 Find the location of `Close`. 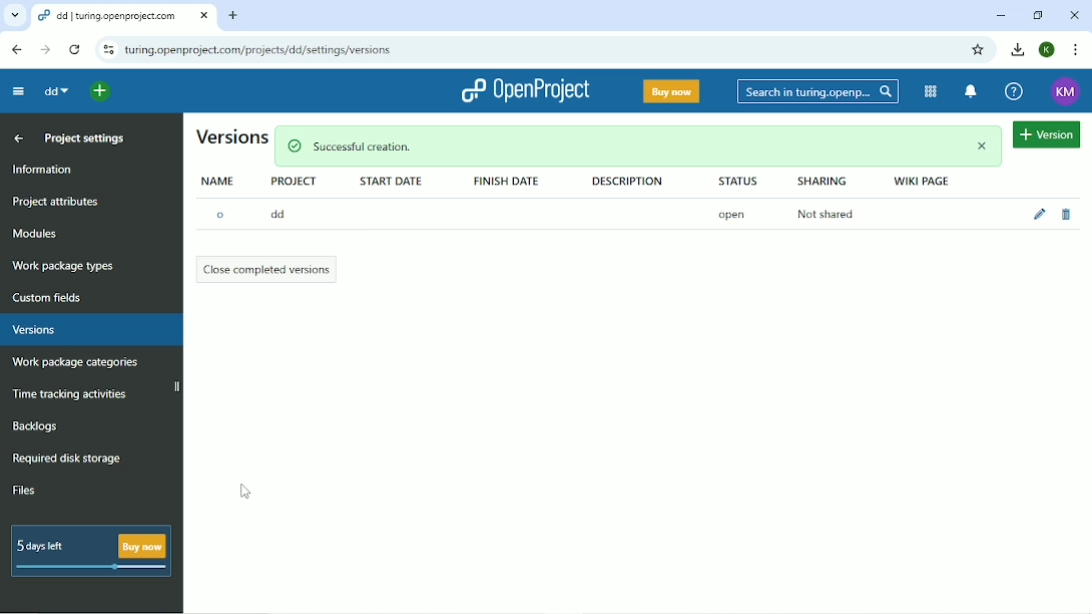

Close is located at coordinates (1074, 15).